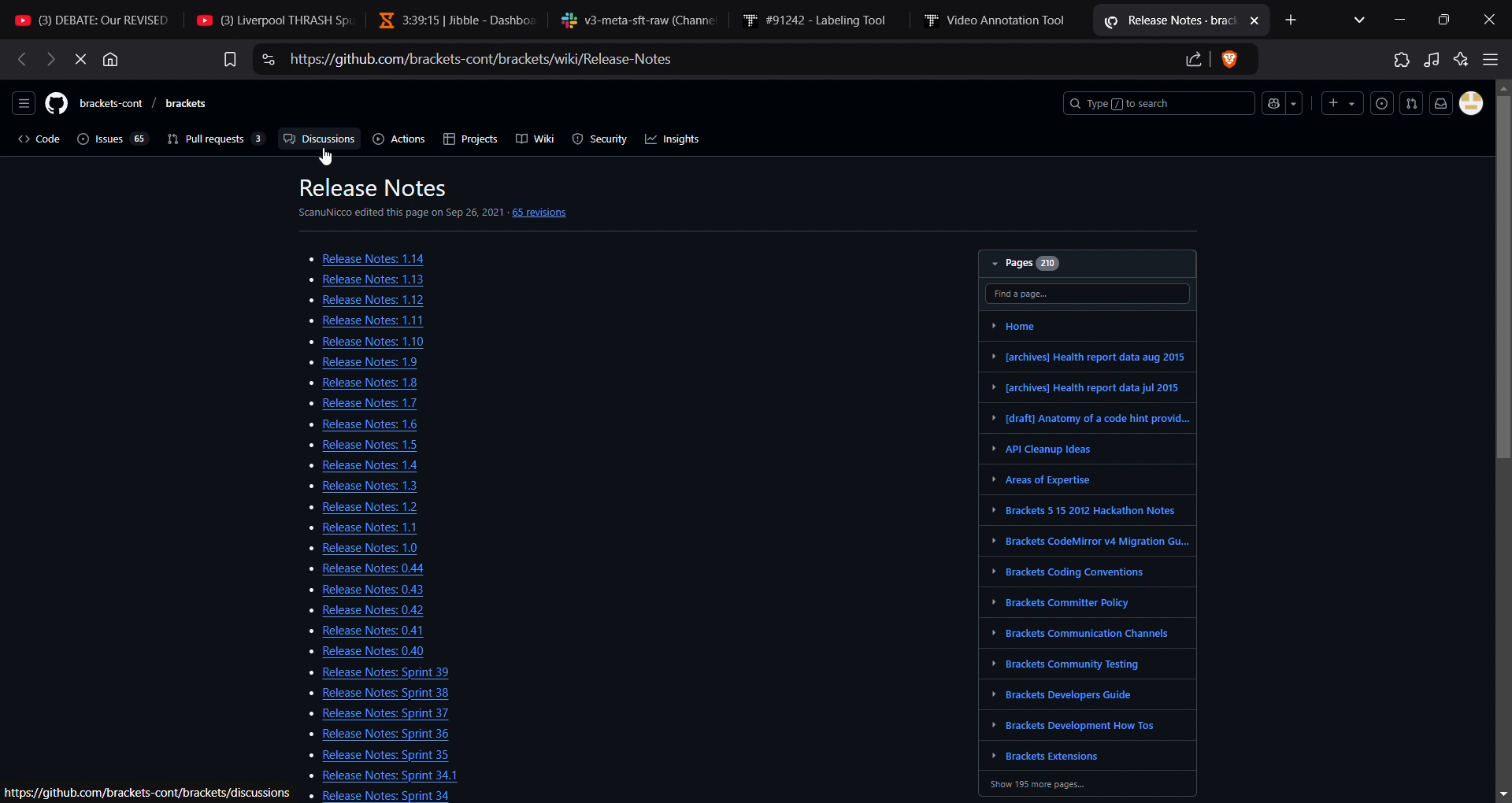 The height and width of the screenshot is (803, 1512). What do you see at coordinates (366, 610) in the screenshot?
I see `o Release Notes: 0.42` at bounding box center [366, 610].